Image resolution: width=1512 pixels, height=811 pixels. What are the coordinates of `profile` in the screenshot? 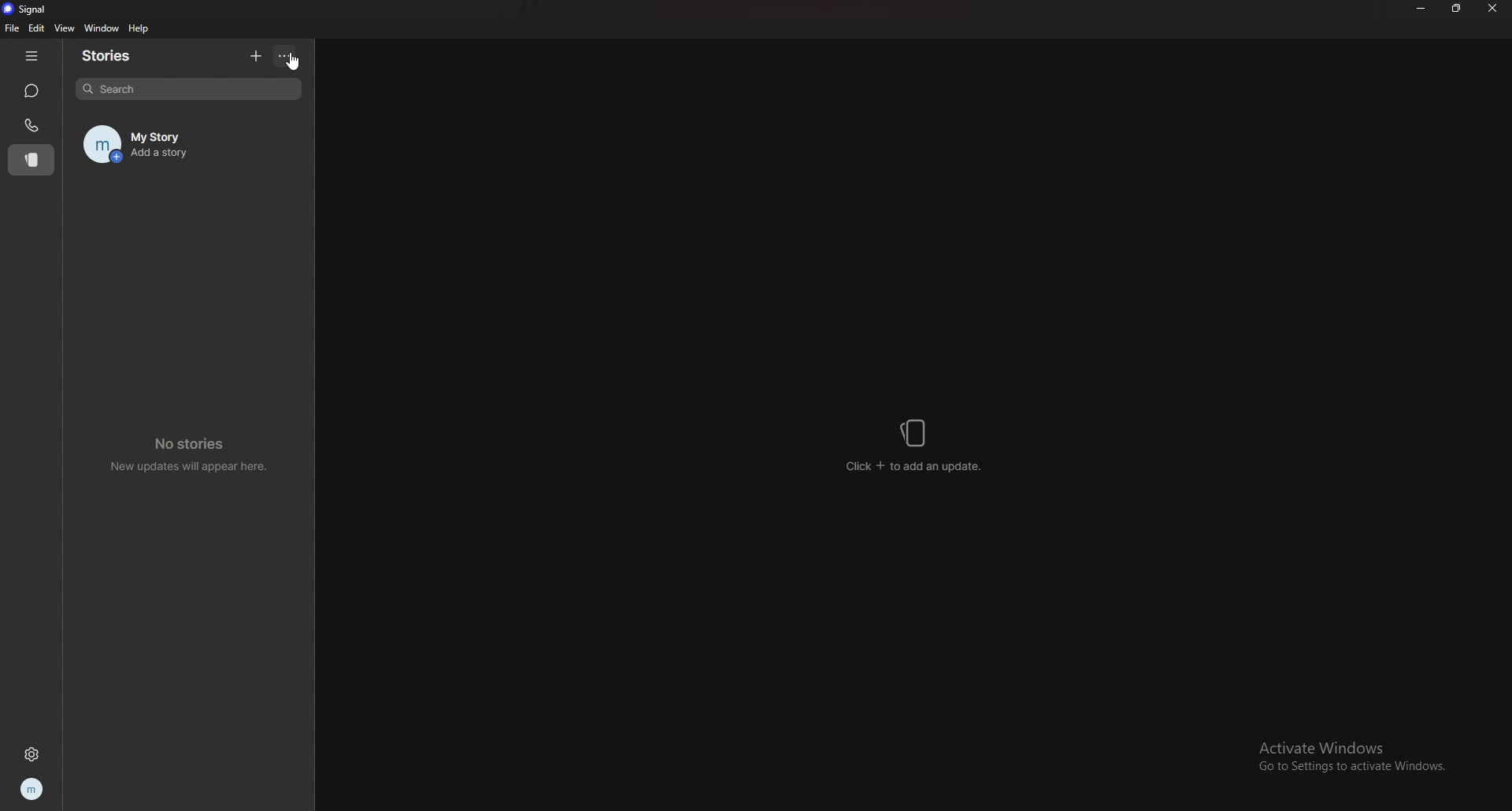 It's located at (33, 788).